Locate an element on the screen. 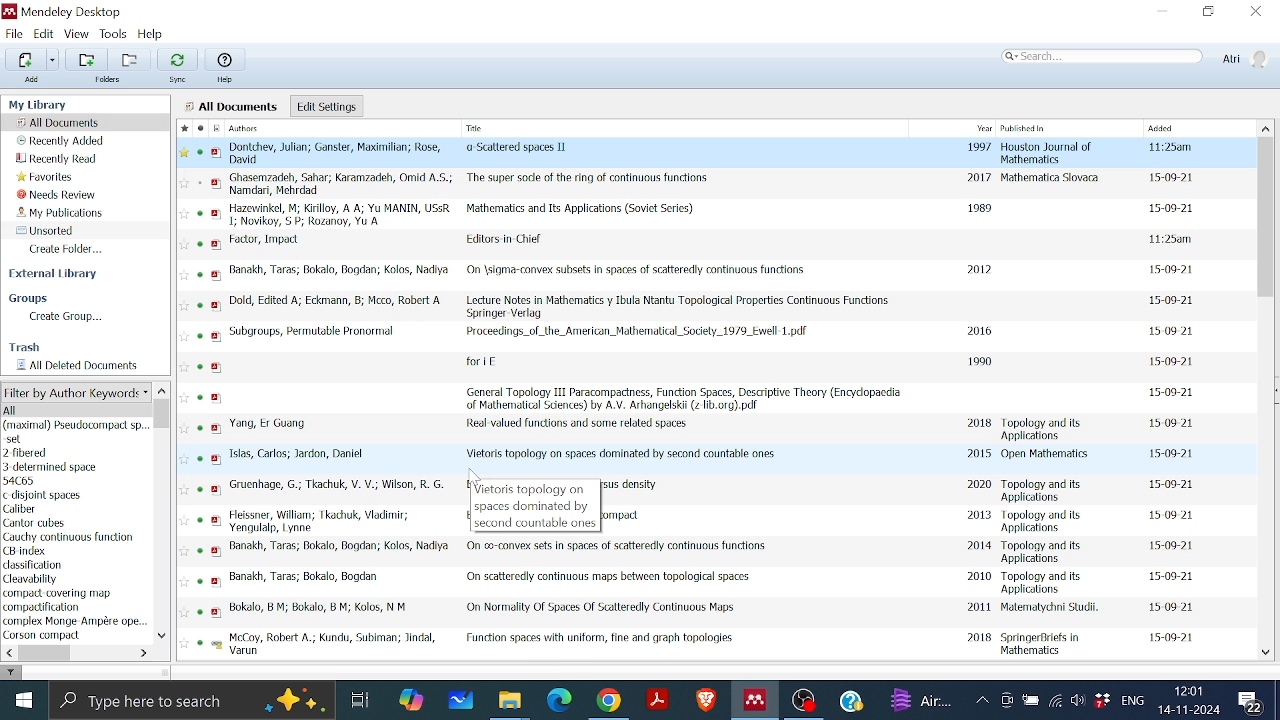 This screenshot has height=720, width=1280. date is located at coordinates (1170, 240).